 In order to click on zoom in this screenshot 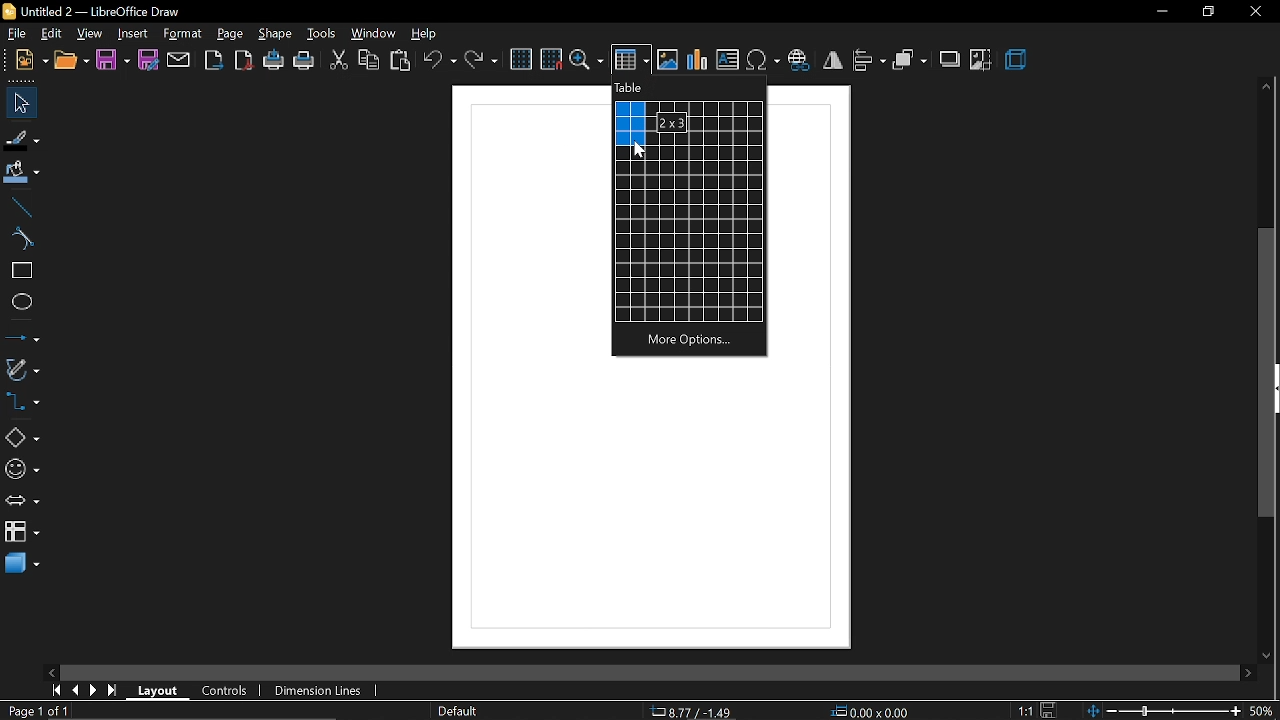, I will do `click(587, 60)`.